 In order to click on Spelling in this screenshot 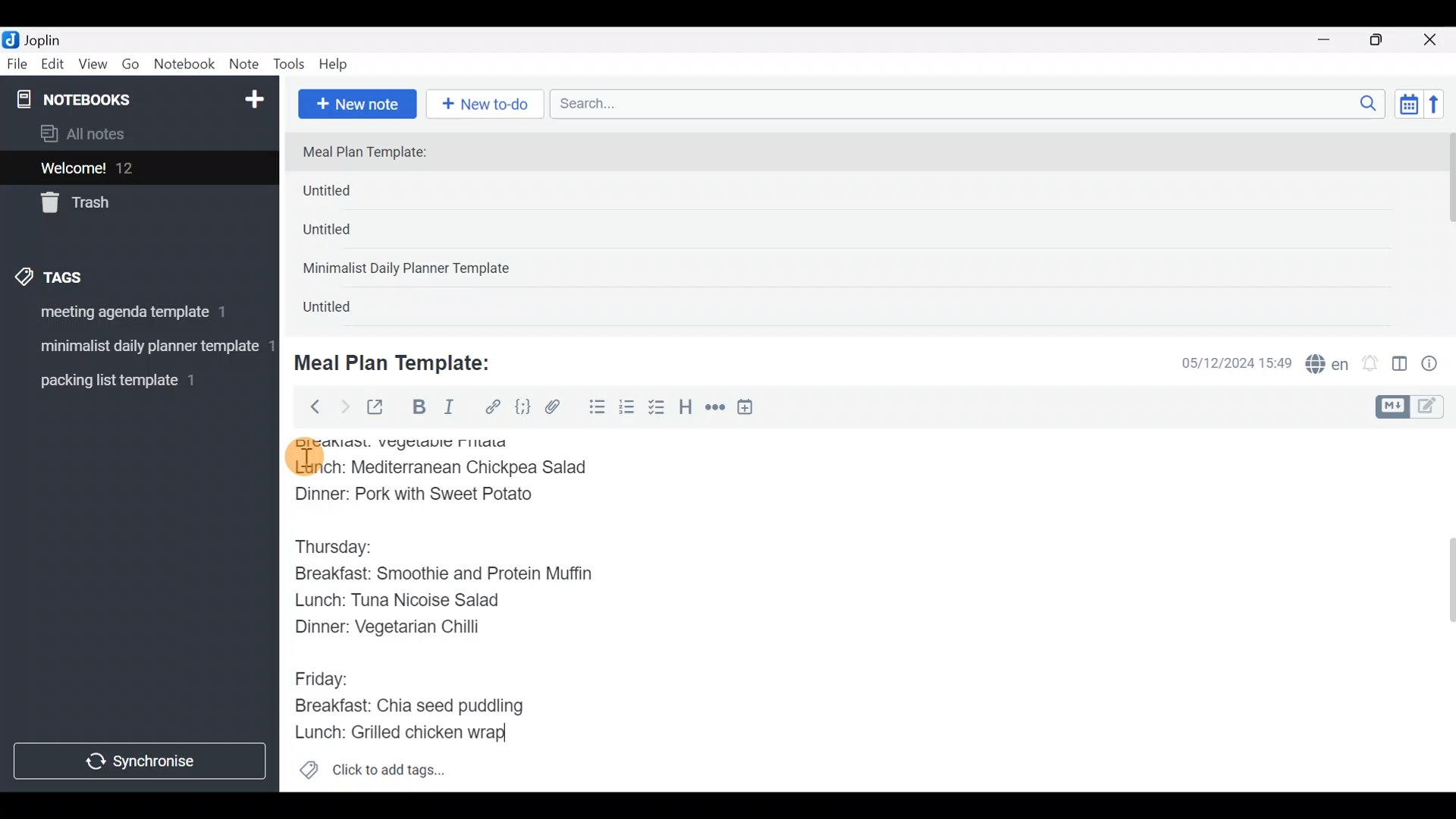, I will do `click(1328, 366)`.